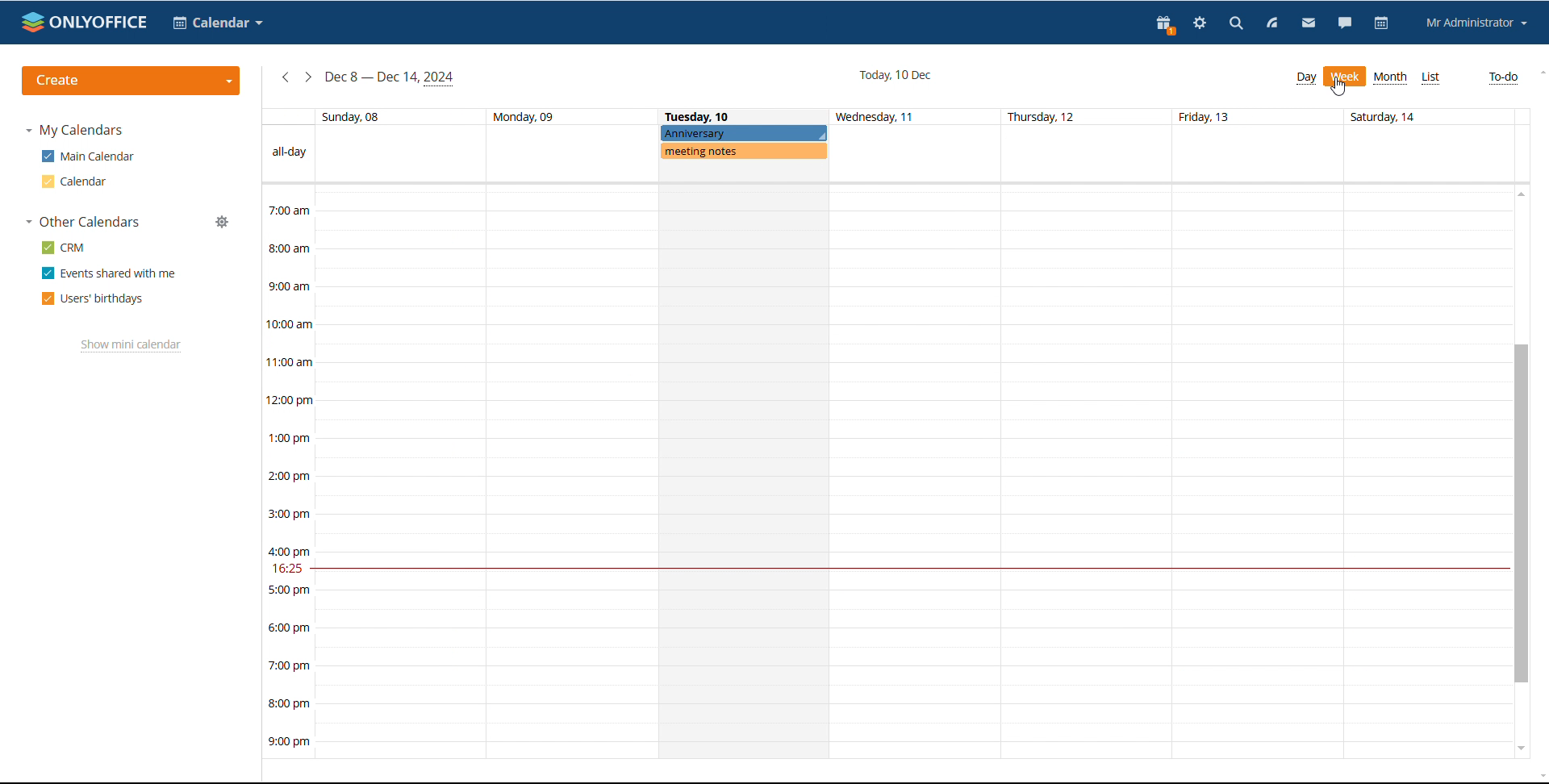 The height and width of the screenshot is (784, 1549). I want to click on 30 min span of a day, so click(912, 373).